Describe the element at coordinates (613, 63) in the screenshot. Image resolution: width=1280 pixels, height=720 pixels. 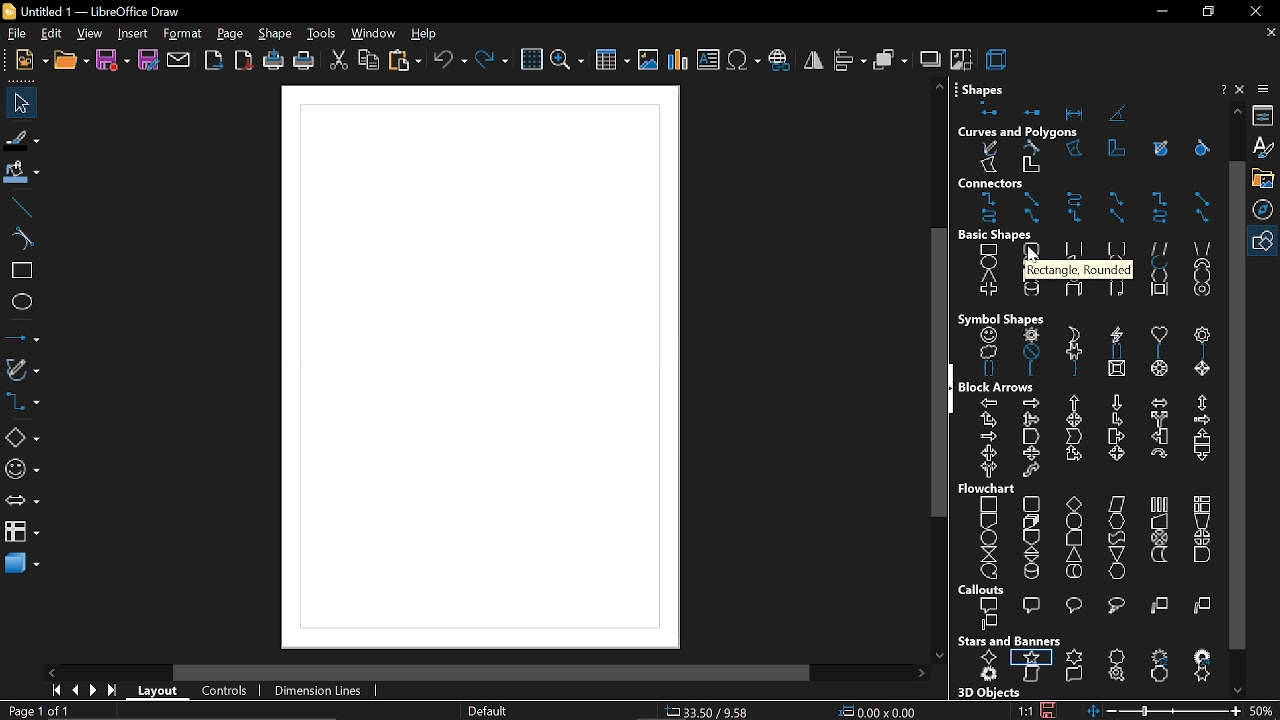
I see `insert table` at that location.